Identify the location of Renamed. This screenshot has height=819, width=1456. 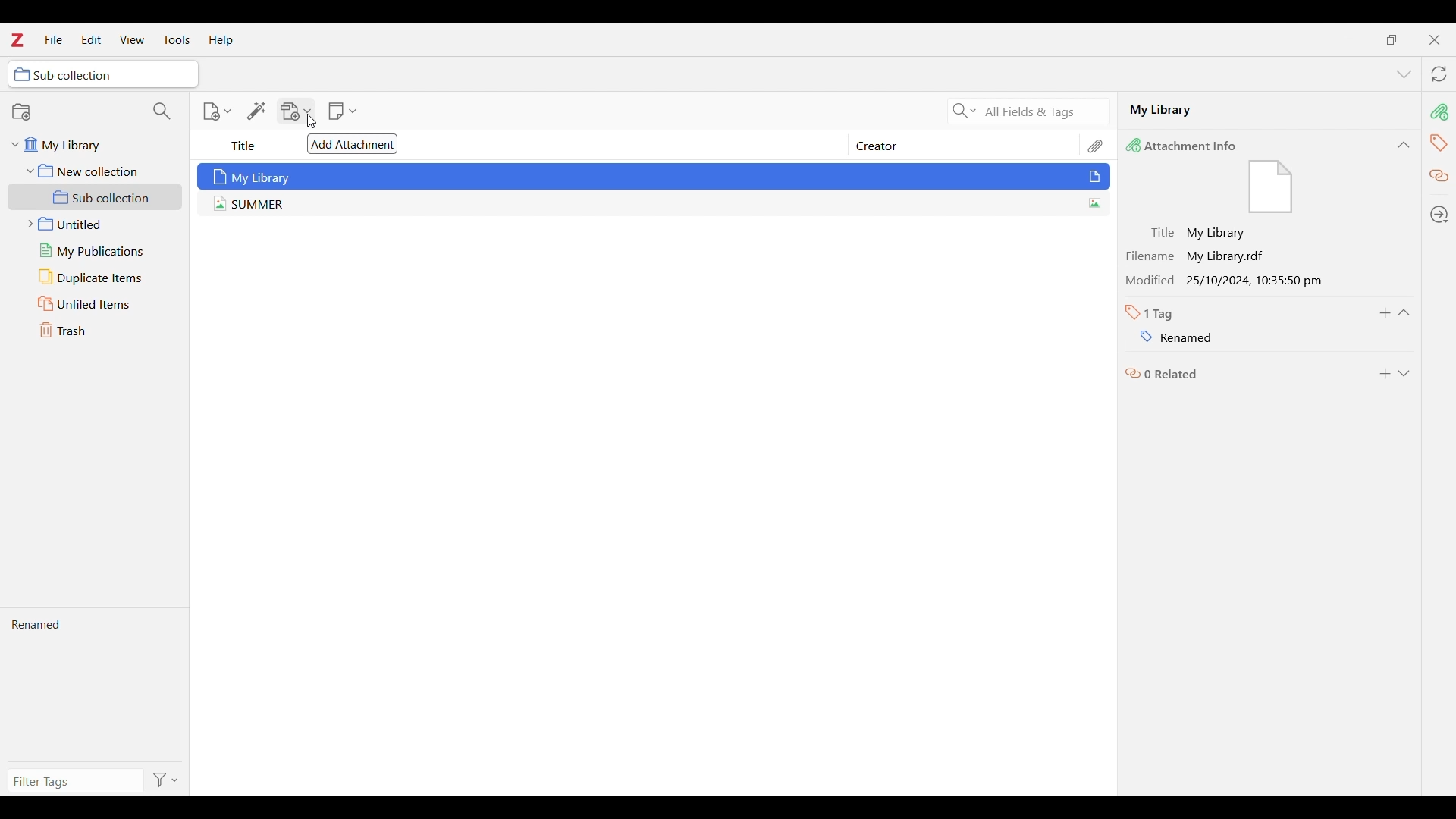
(96, 688).